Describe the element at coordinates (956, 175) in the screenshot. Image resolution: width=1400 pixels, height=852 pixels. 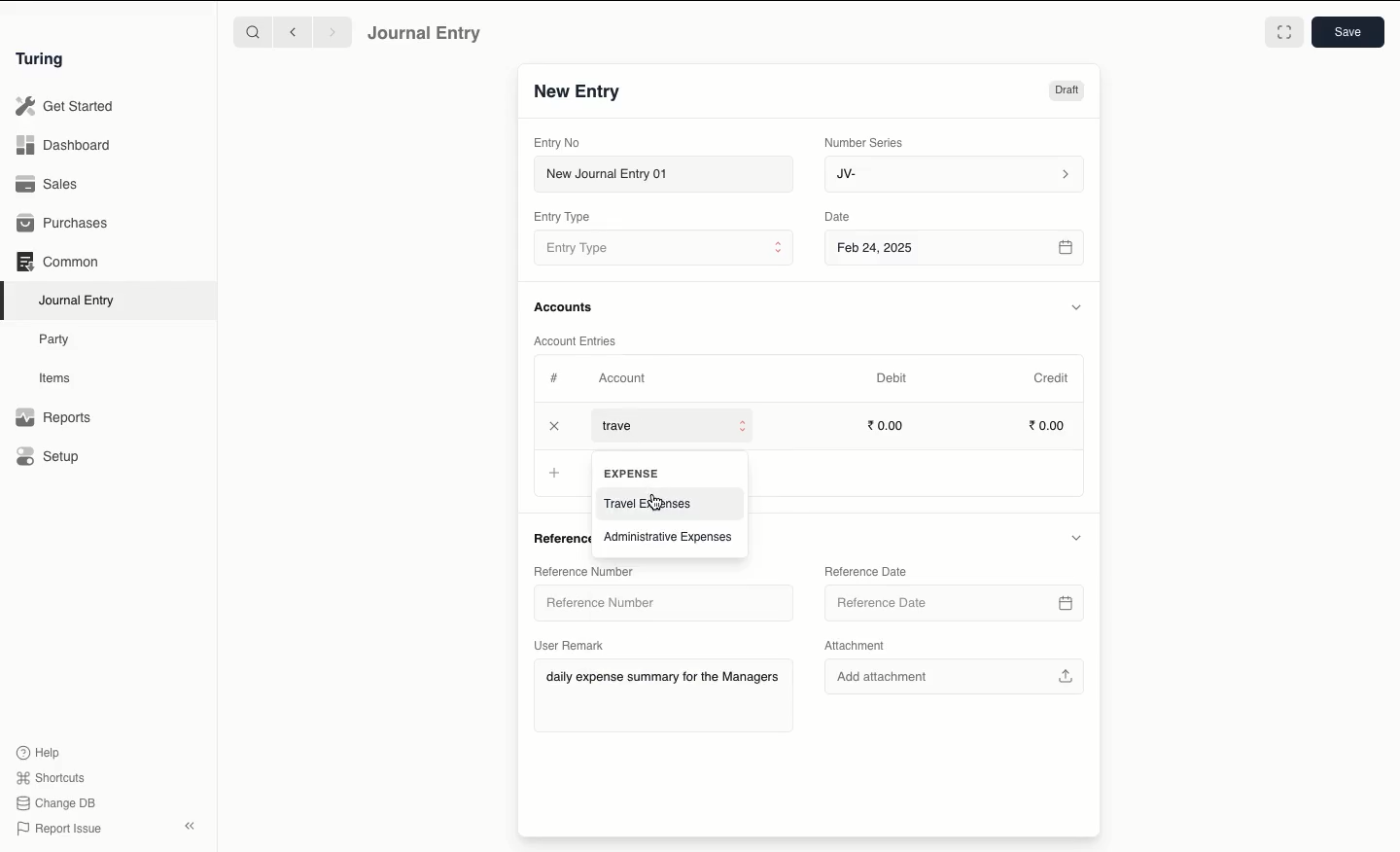
I see `JV-` at that location.